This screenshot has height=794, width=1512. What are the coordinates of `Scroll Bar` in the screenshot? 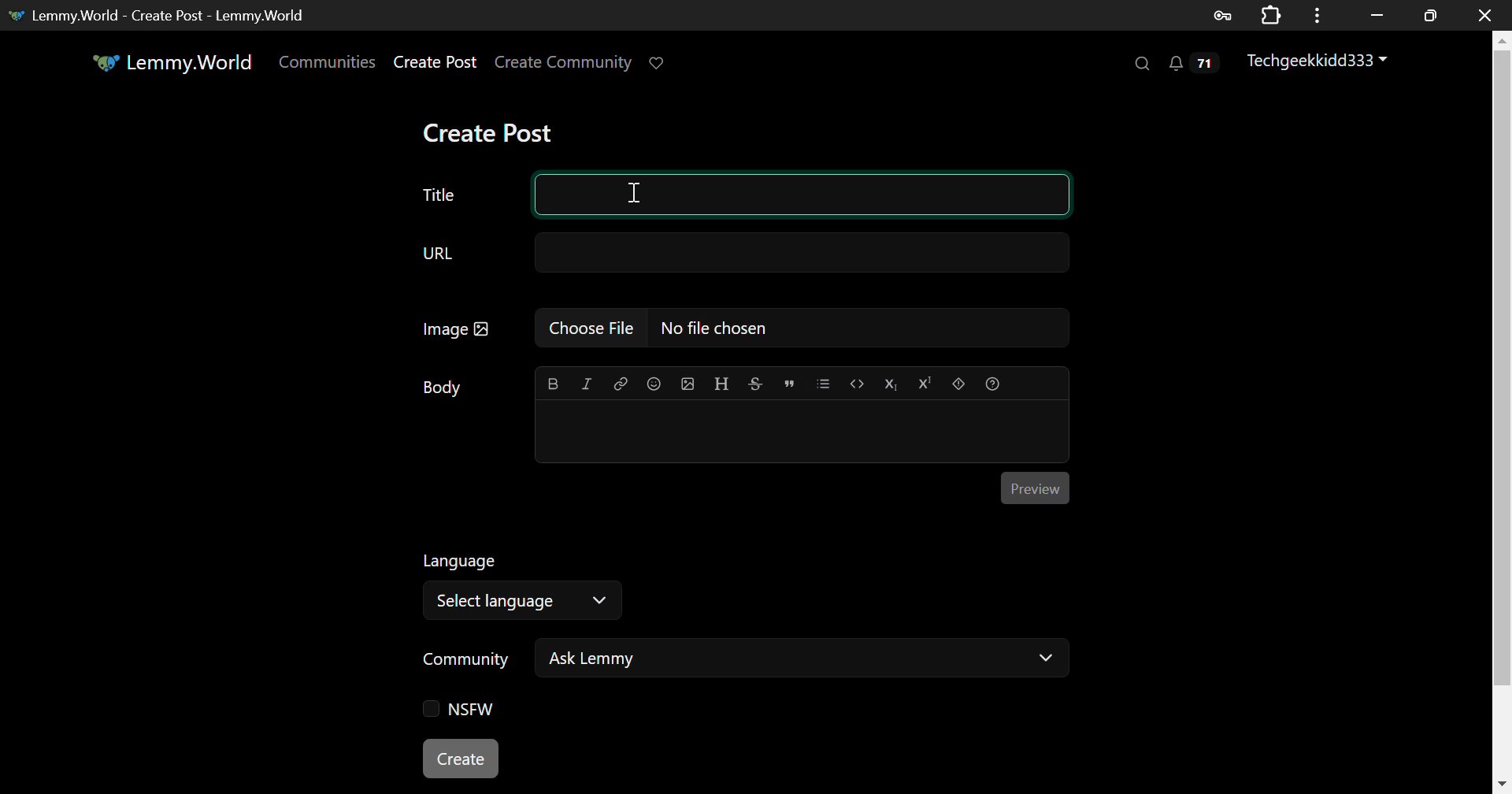 It's located at (1503, 404).